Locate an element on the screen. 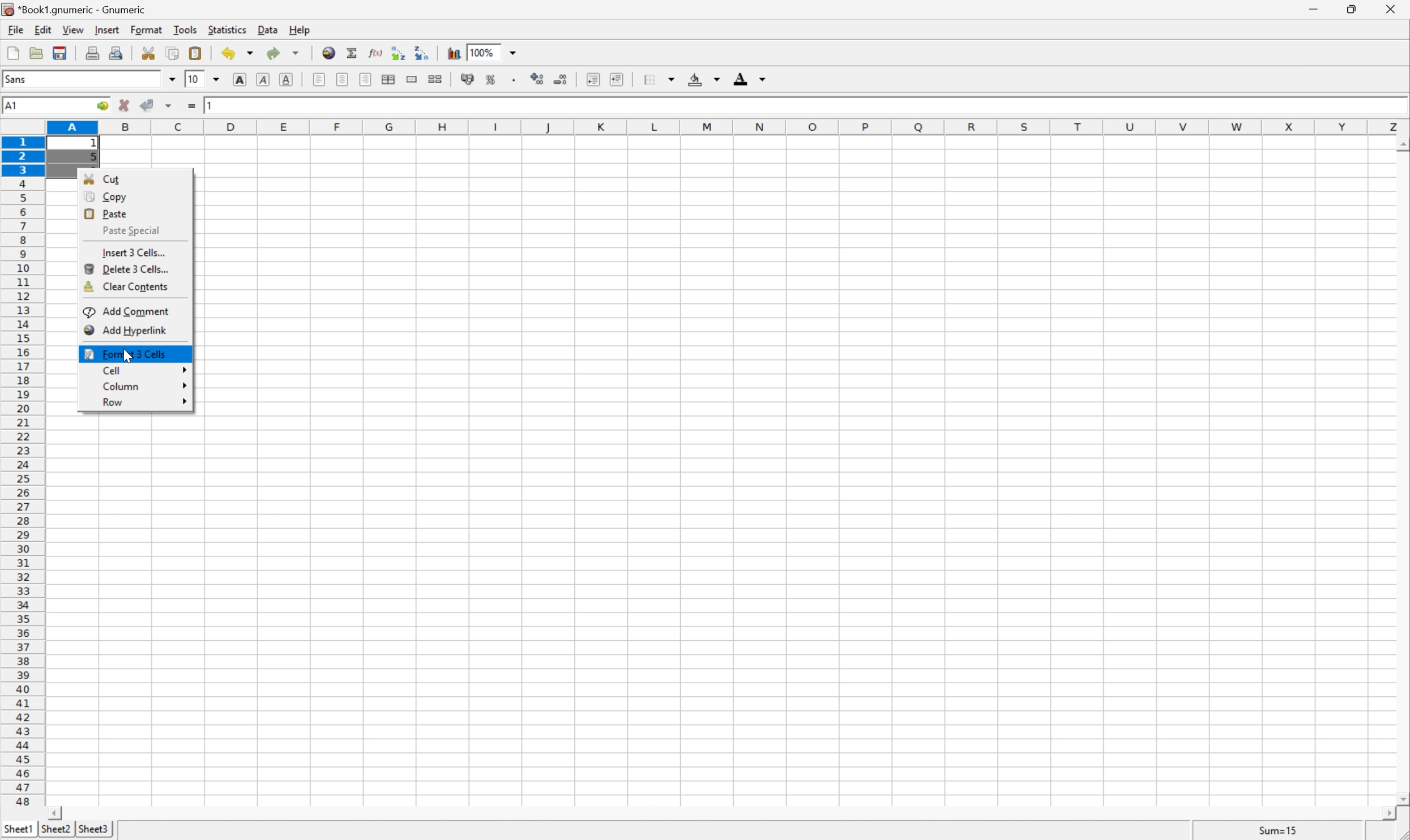 This screenshot has width=1410, height=840. save current workbook is located at coordinates (60, 53).